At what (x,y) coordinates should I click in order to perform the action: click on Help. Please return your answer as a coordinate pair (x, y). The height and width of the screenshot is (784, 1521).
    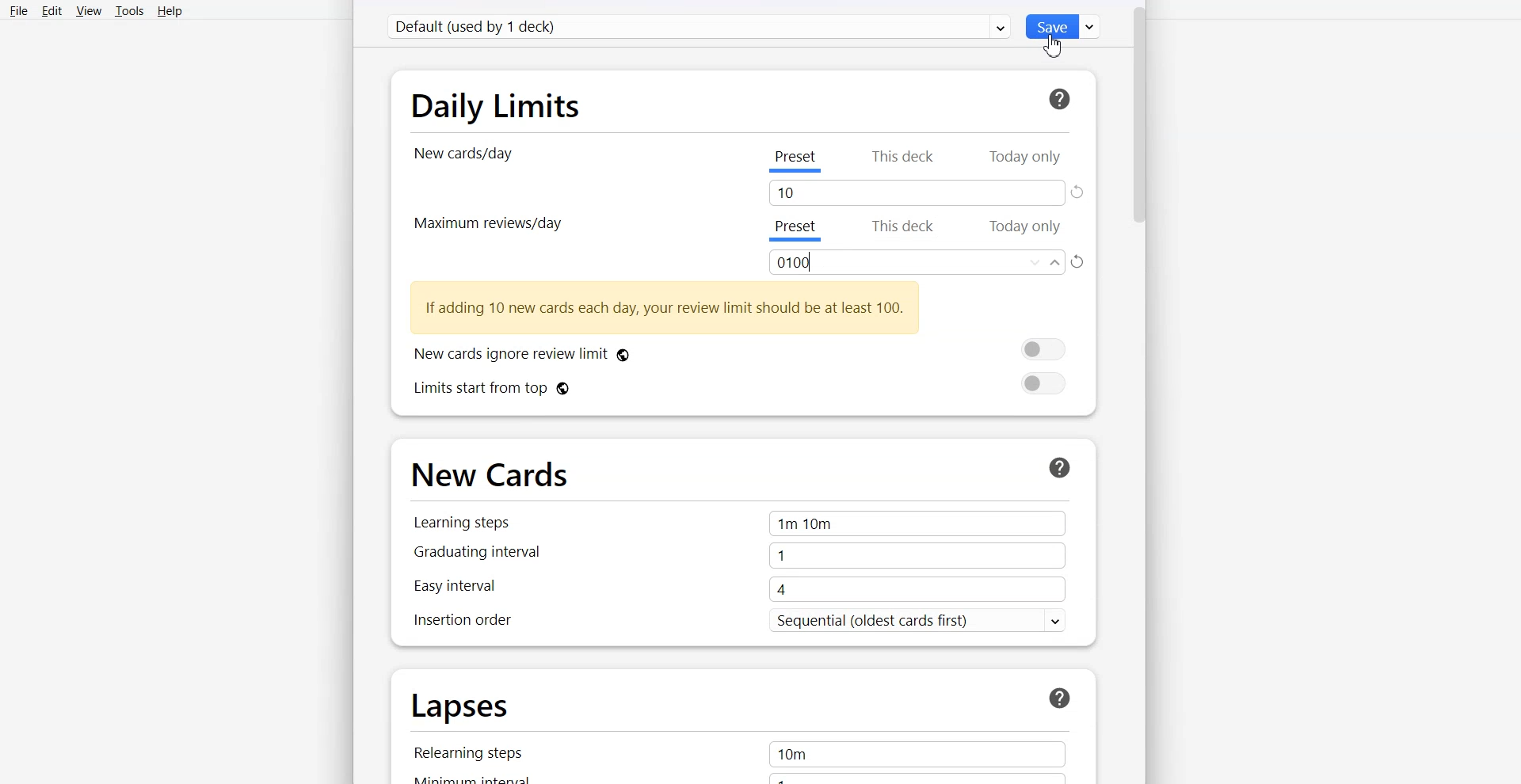
    Looking at the image, I should click on (1058, 466).